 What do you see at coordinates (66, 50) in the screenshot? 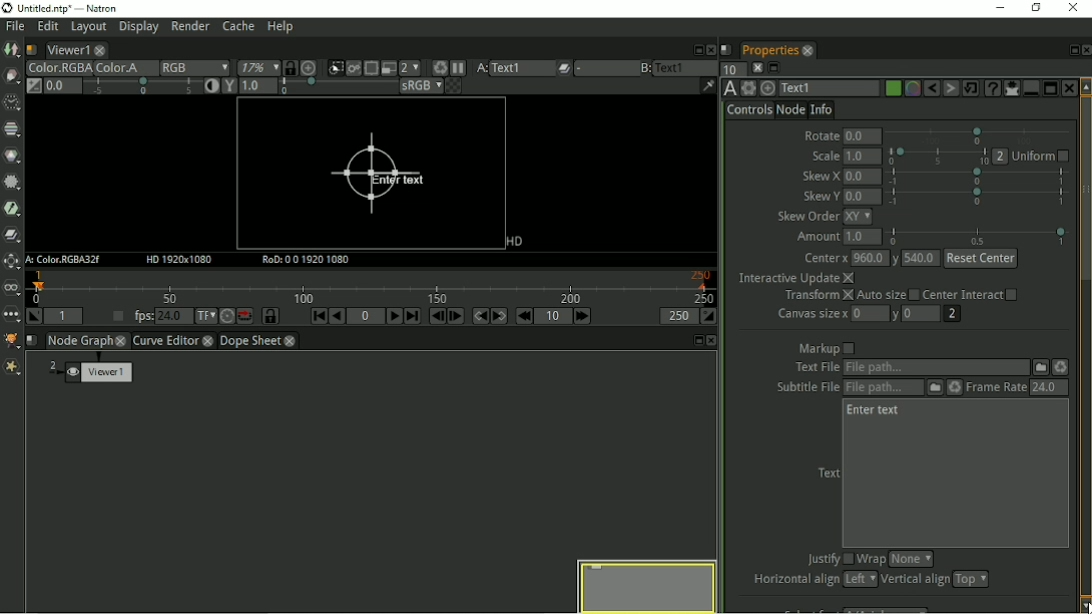
I see `Viewer1` at bounding box center [66, 50].